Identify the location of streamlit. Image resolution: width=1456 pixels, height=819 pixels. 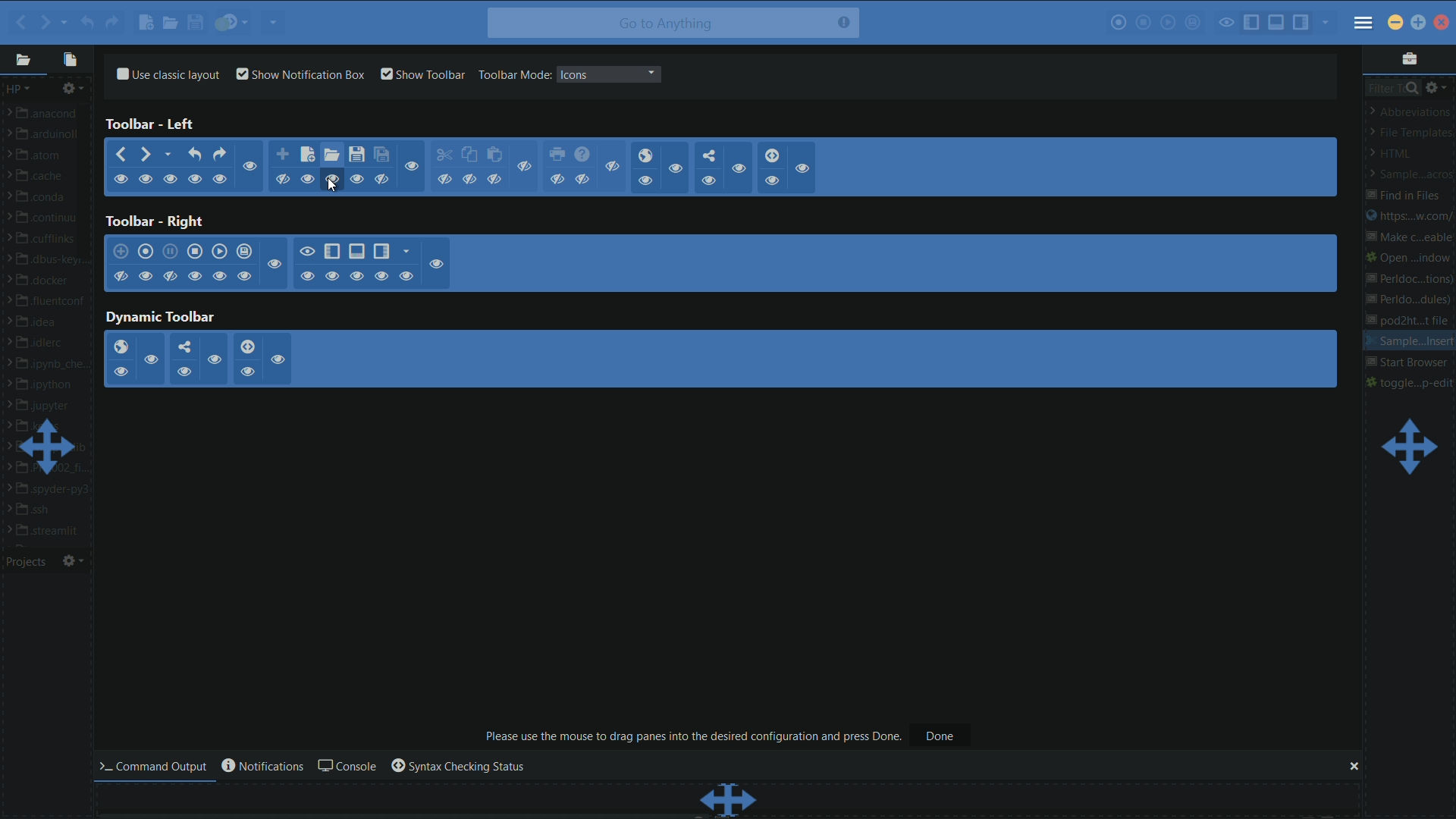
(52, 531).